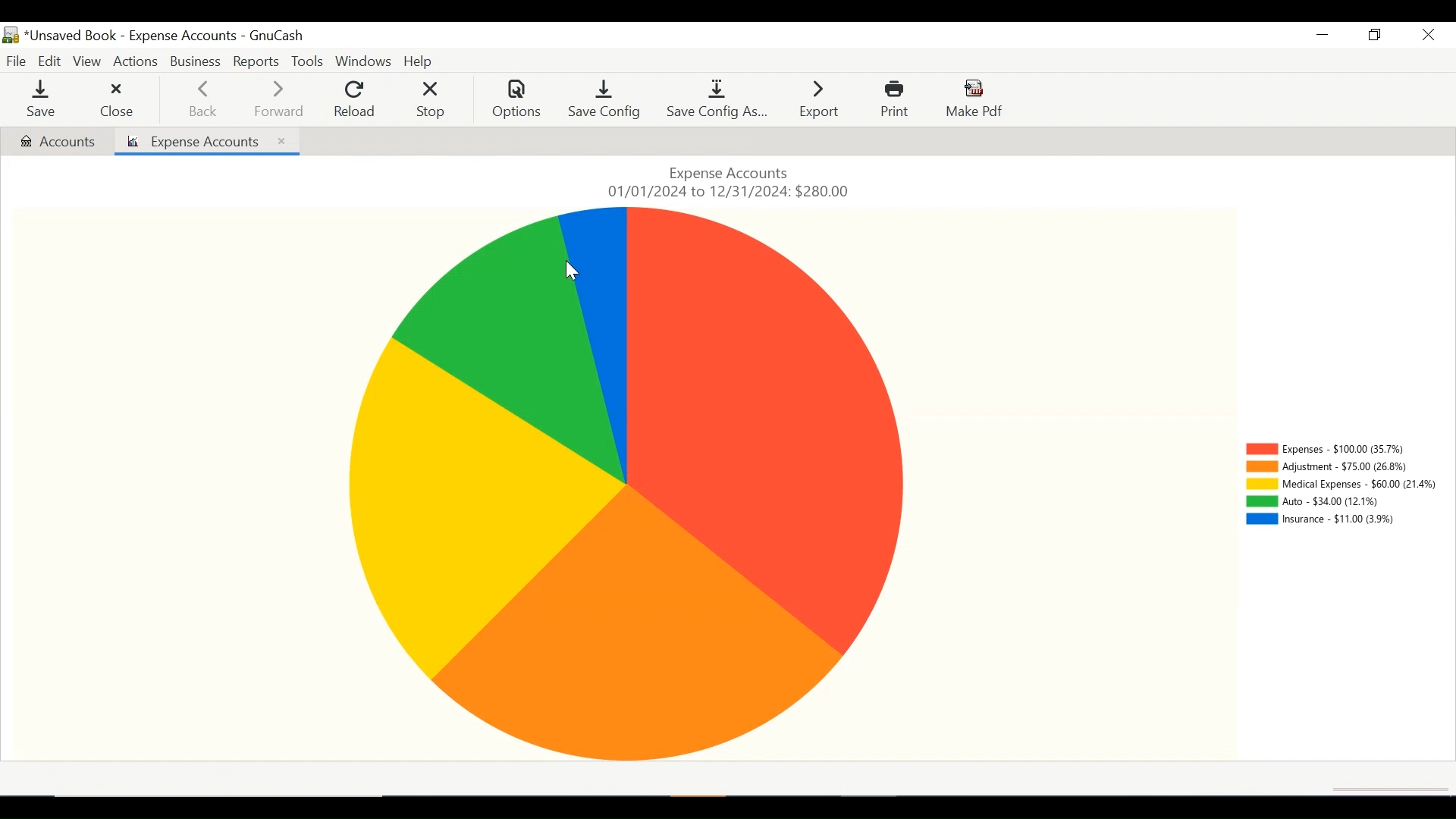  What do you see at coordinates (136, 58) in the screenshot?
I see `Actions` at bounding box center [136, 58].